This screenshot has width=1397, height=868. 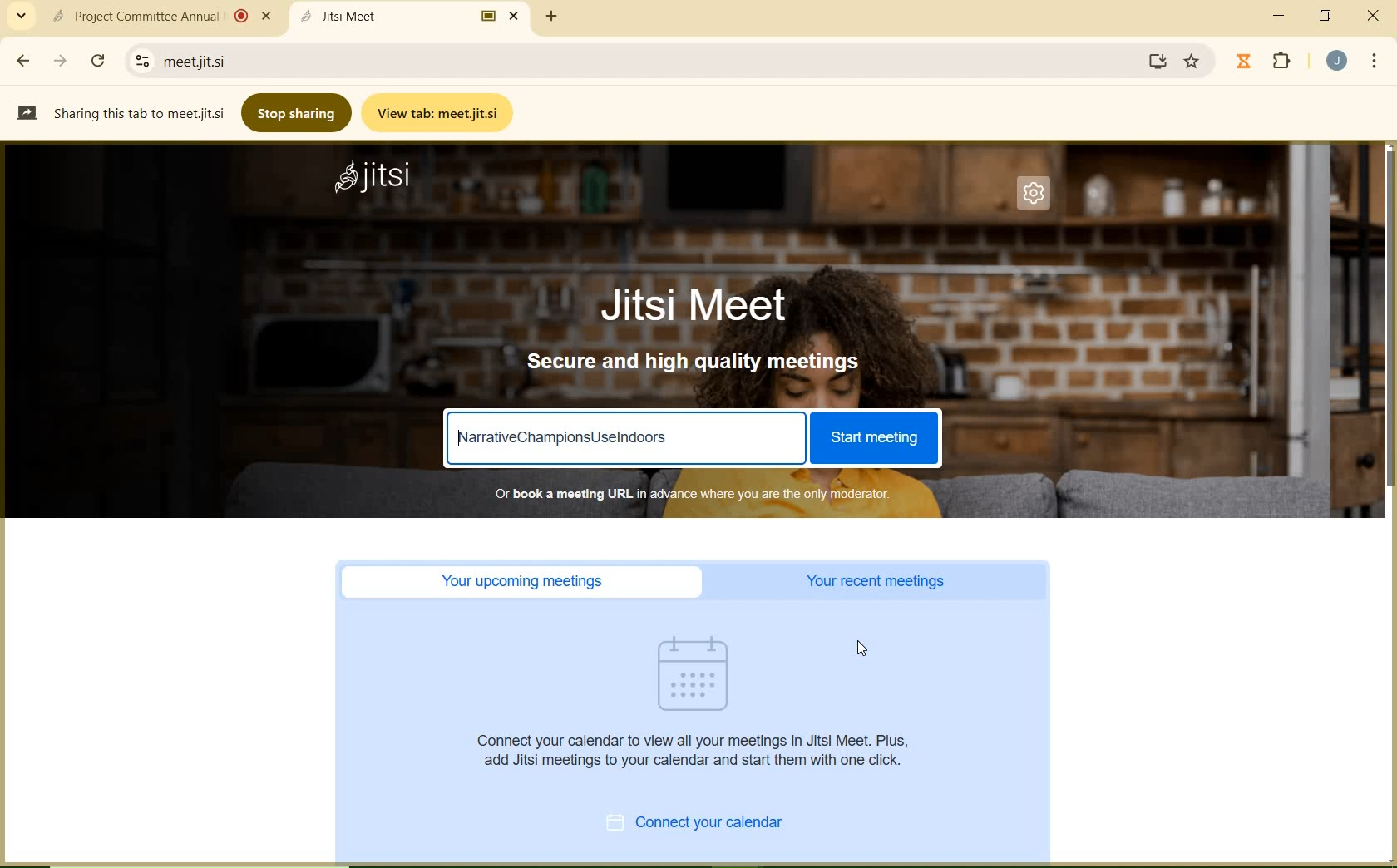 What do you see at coordinates (703, 494) in the screenshot?
I see `Or book a meeting URL in advance where you are the only moderator` at bounding box center [703, 494].